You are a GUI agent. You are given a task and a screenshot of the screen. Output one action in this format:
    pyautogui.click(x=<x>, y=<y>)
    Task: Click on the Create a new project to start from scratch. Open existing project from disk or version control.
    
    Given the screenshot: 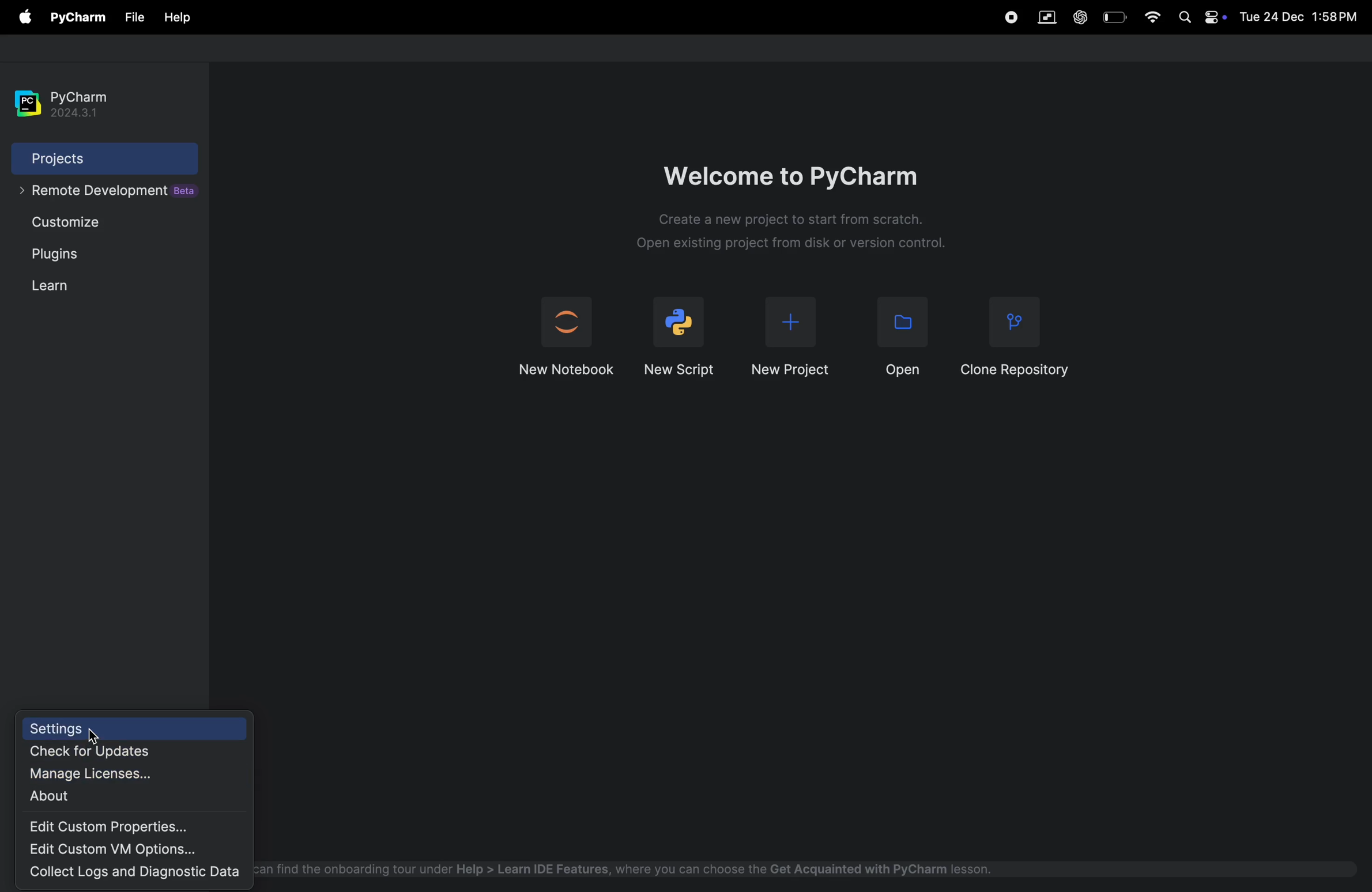 What is the action you would take?
    pyautogui.click(x=817, y=234)
    